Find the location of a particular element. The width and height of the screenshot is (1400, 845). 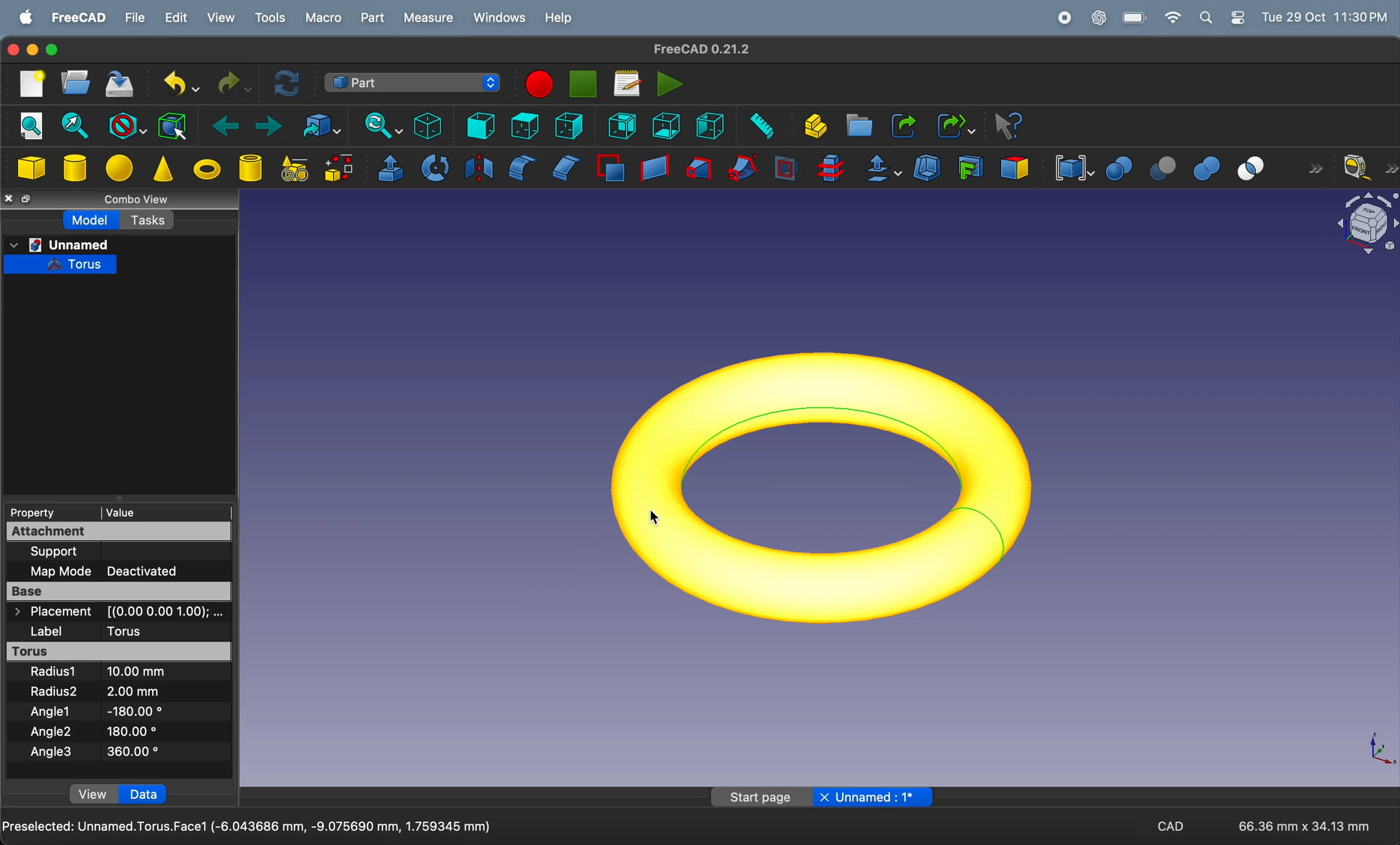

color per face is located at coordinates (1014, 167).